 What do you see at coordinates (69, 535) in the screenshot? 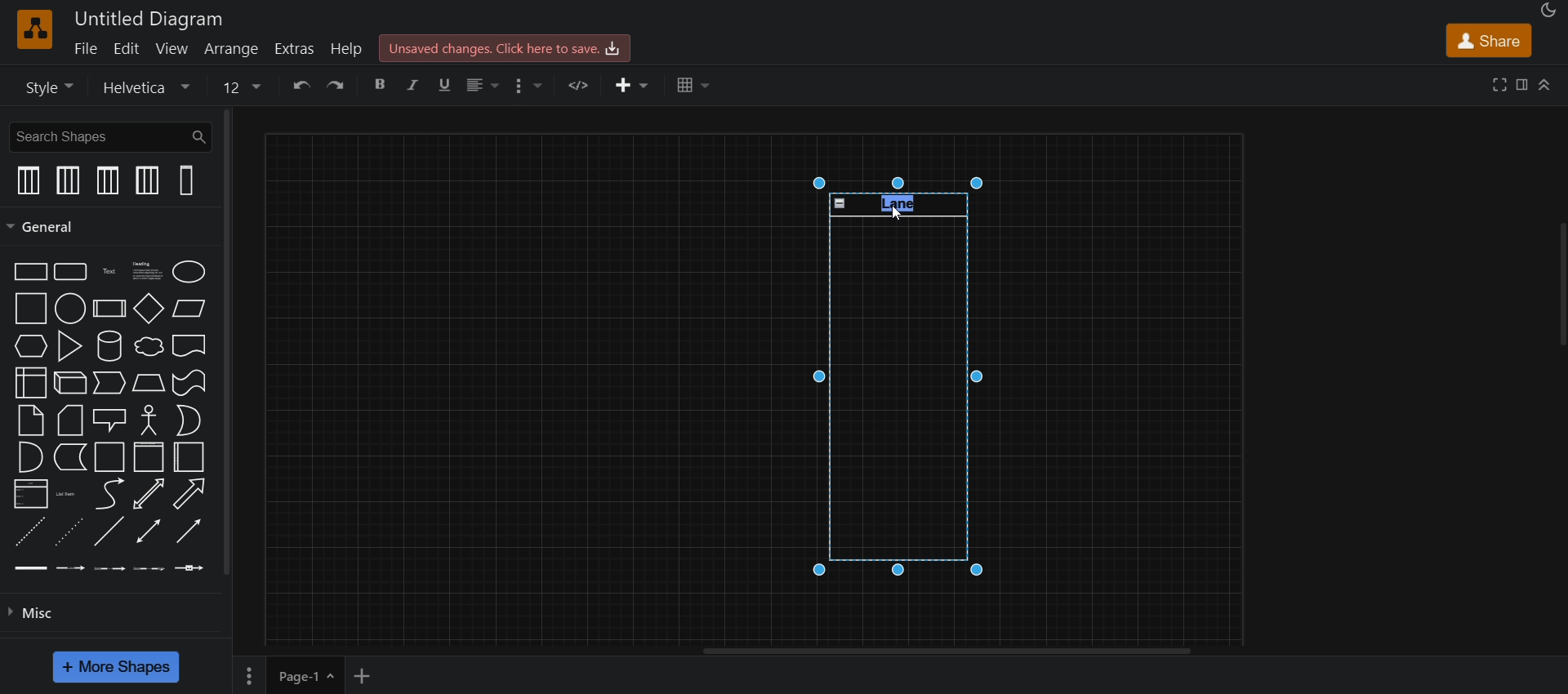
I see `dotted line` at bounding box center [69, 535].